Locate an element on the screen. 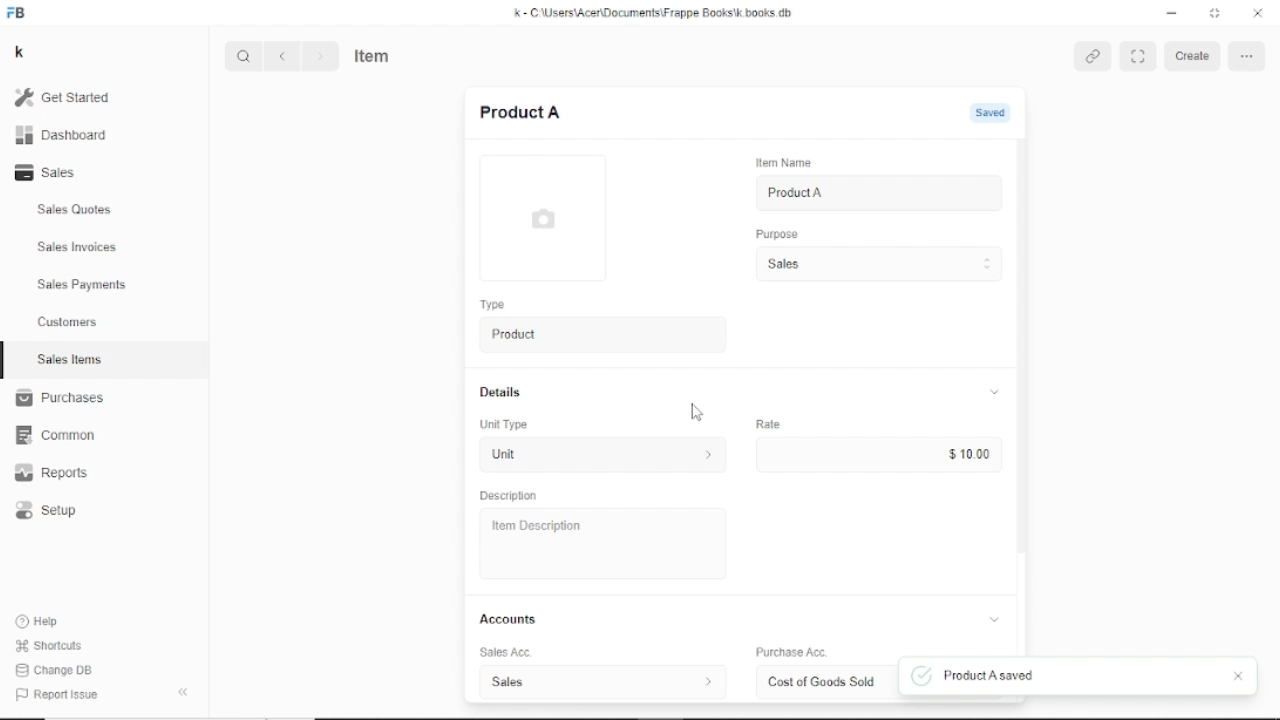 The width and height of the screenshot is (1280, 720). Search is located at coordinates (244, 56).